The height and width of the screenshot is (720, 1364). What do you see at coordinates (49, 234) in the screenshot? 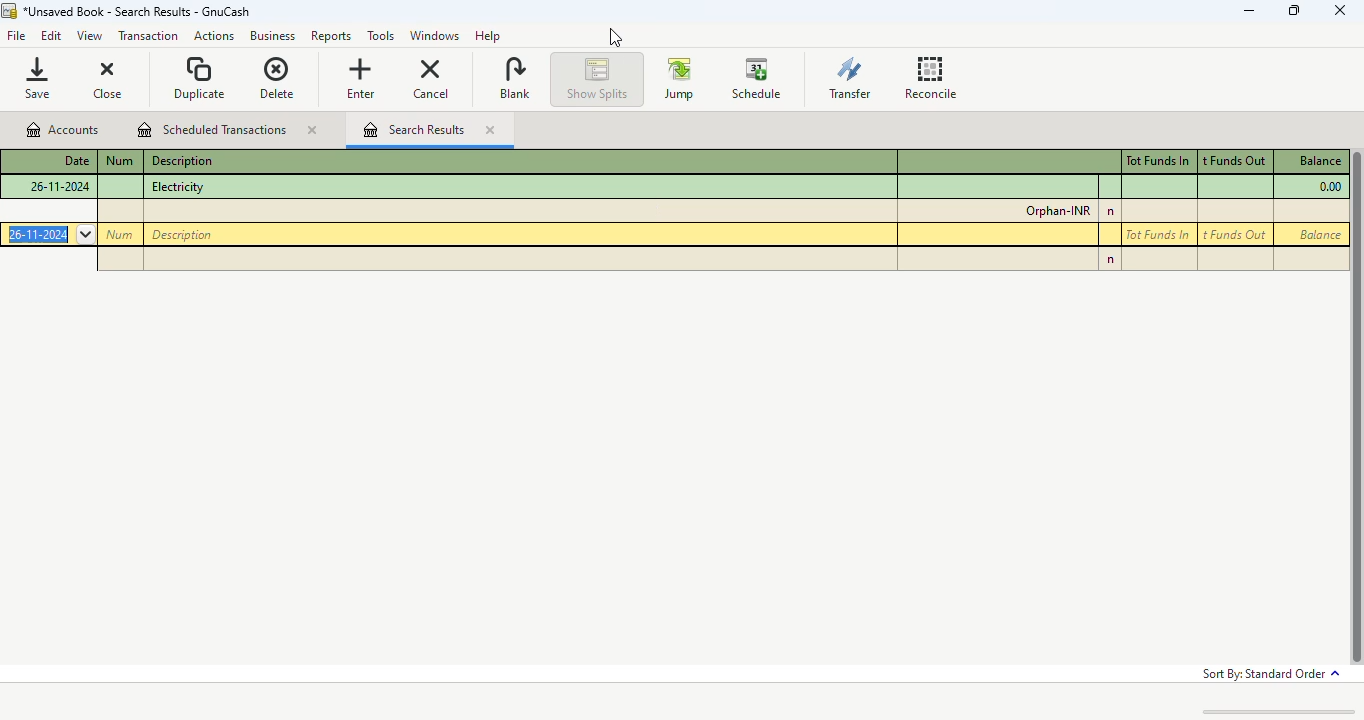
I see `26-11-2024` at bounding box center [49, 234].